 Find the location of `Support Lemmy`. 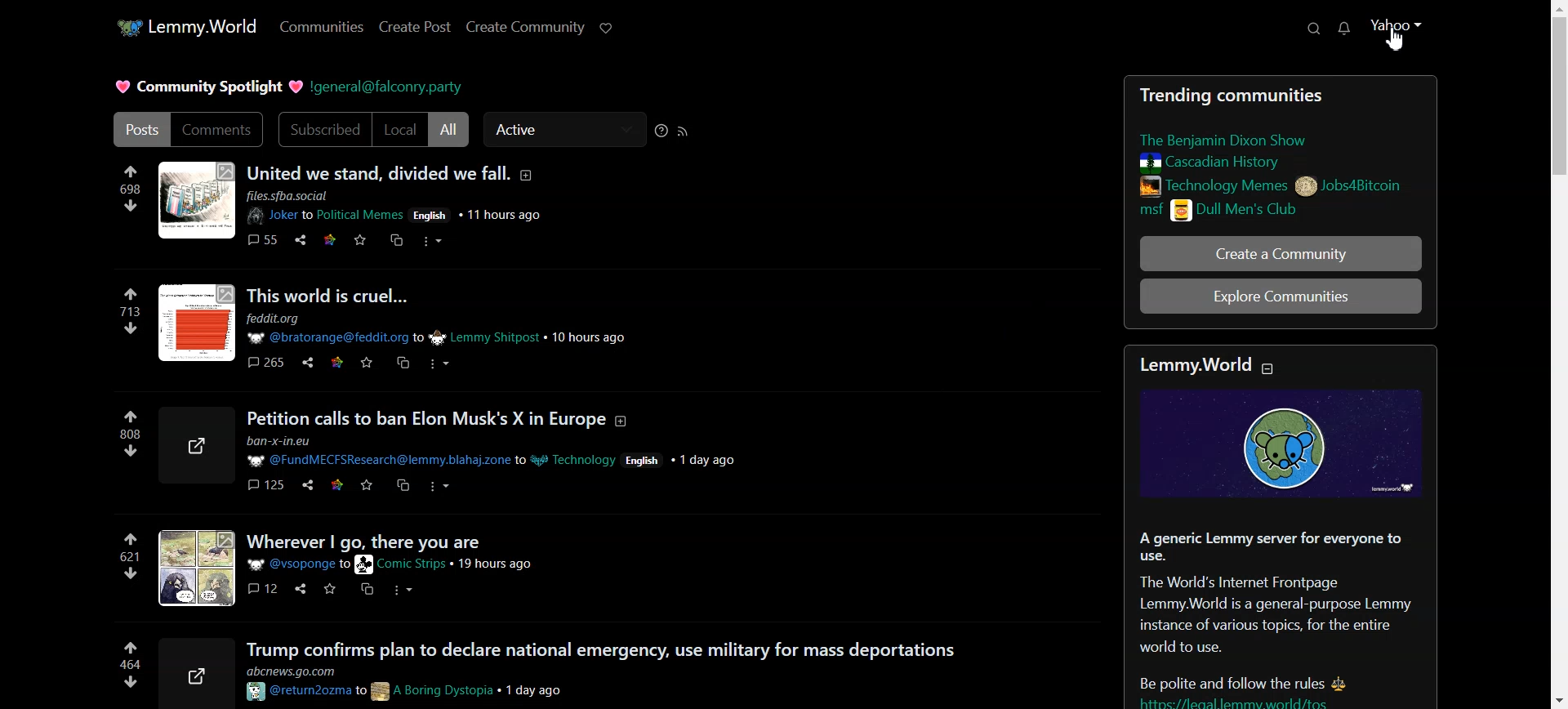

Support Lemmy is located at coordinates (608, 29).